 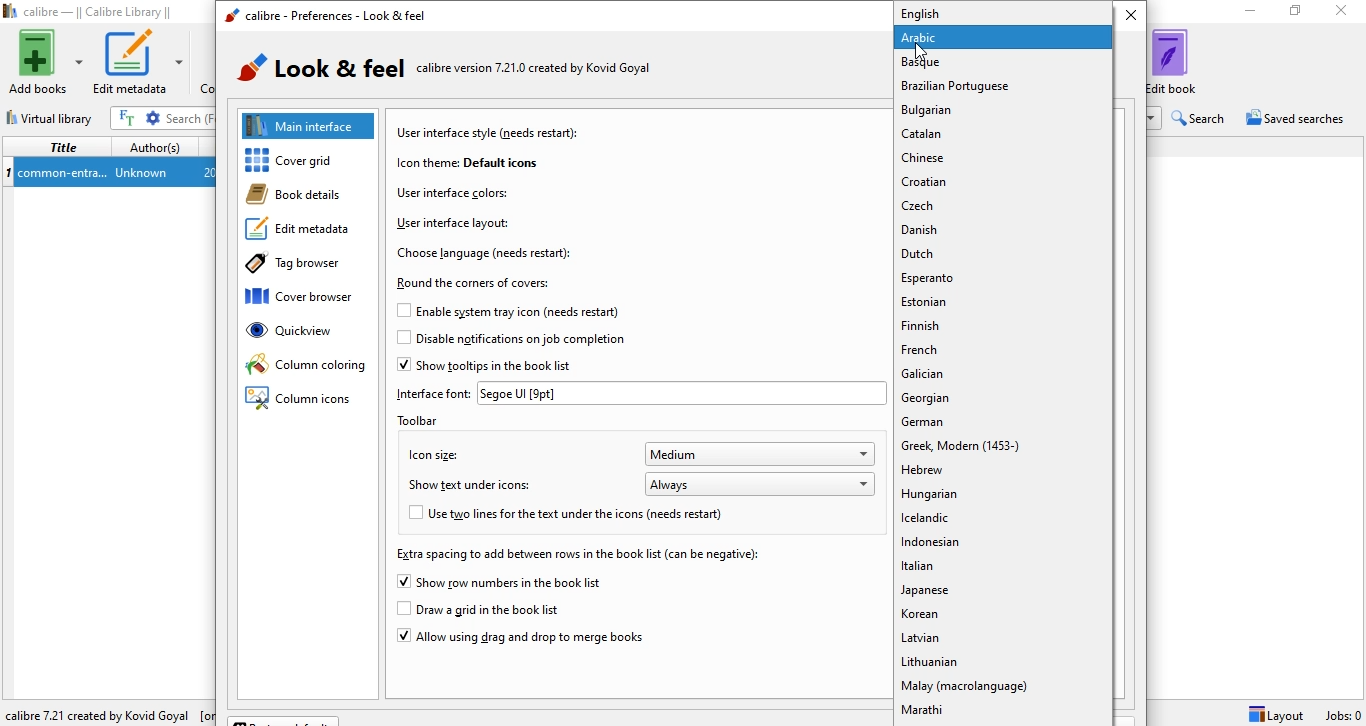 What do you see at coordinates (154, 118) in the screenshot?
I see `advanced search` at bounding box center [154, 118].